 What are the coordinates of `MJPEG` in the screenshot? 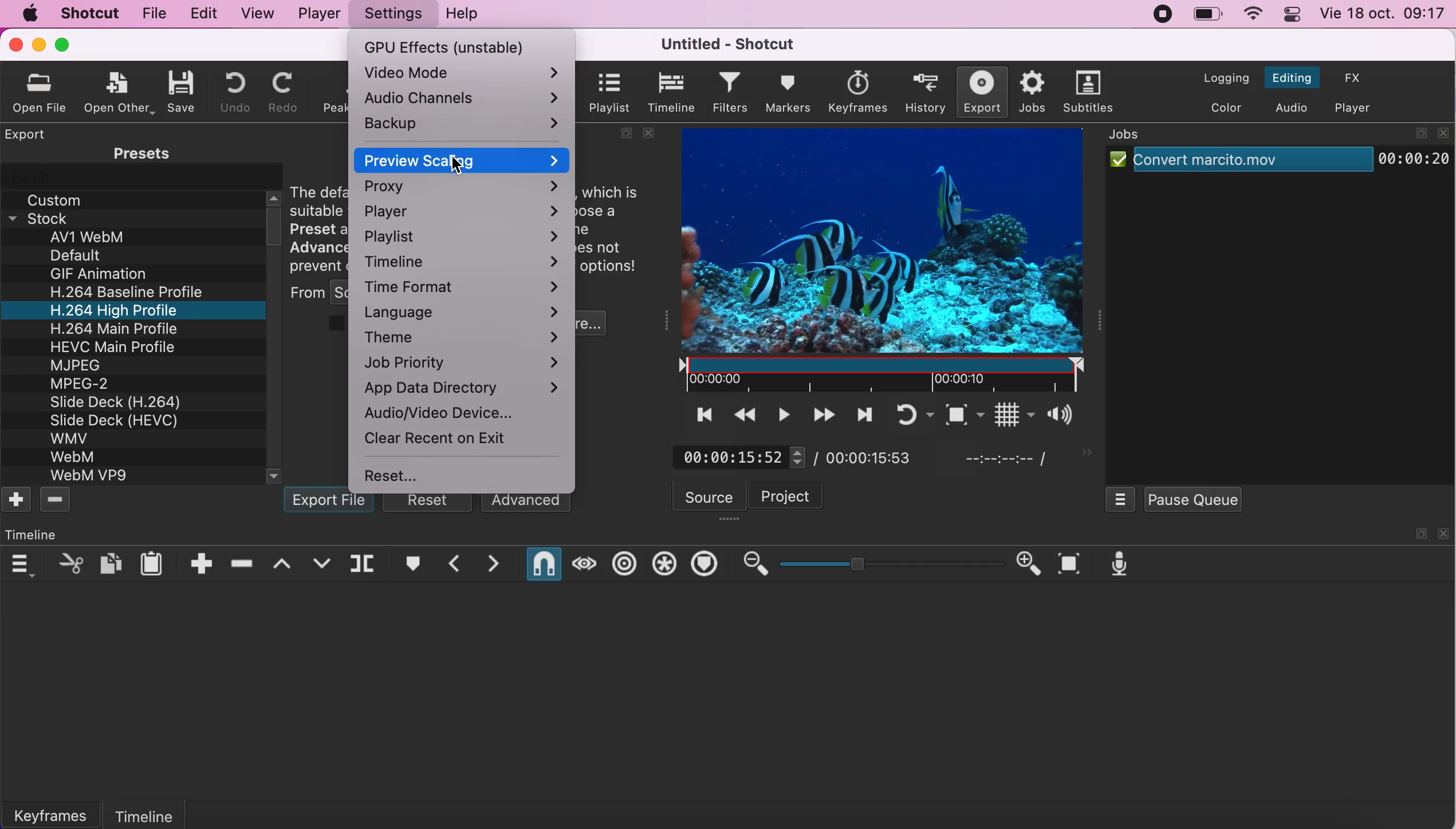 It's located at (80, 364).